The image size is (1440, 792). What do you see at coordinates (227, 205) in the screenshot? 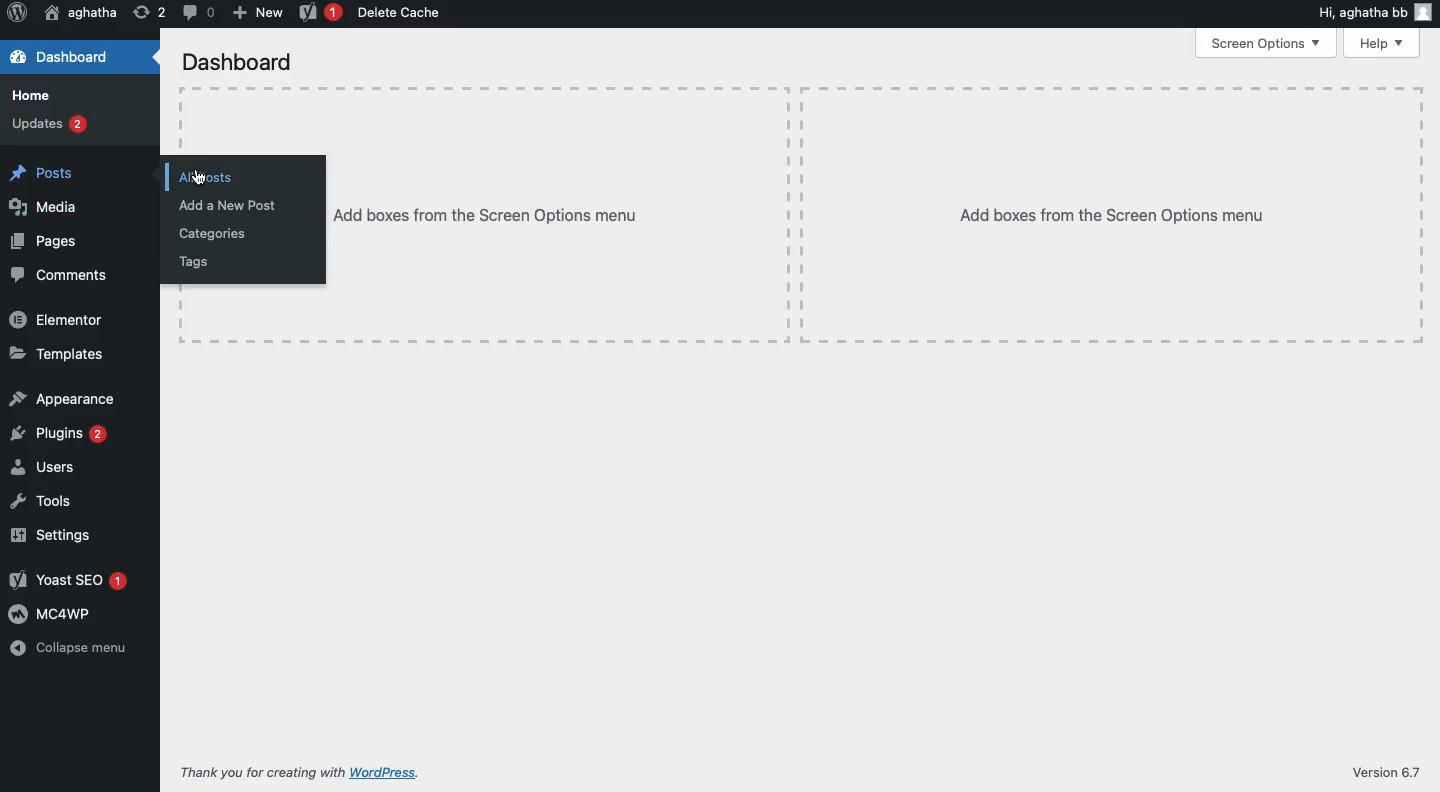
I see `Add a New Post` at bounding box center [227, 205].